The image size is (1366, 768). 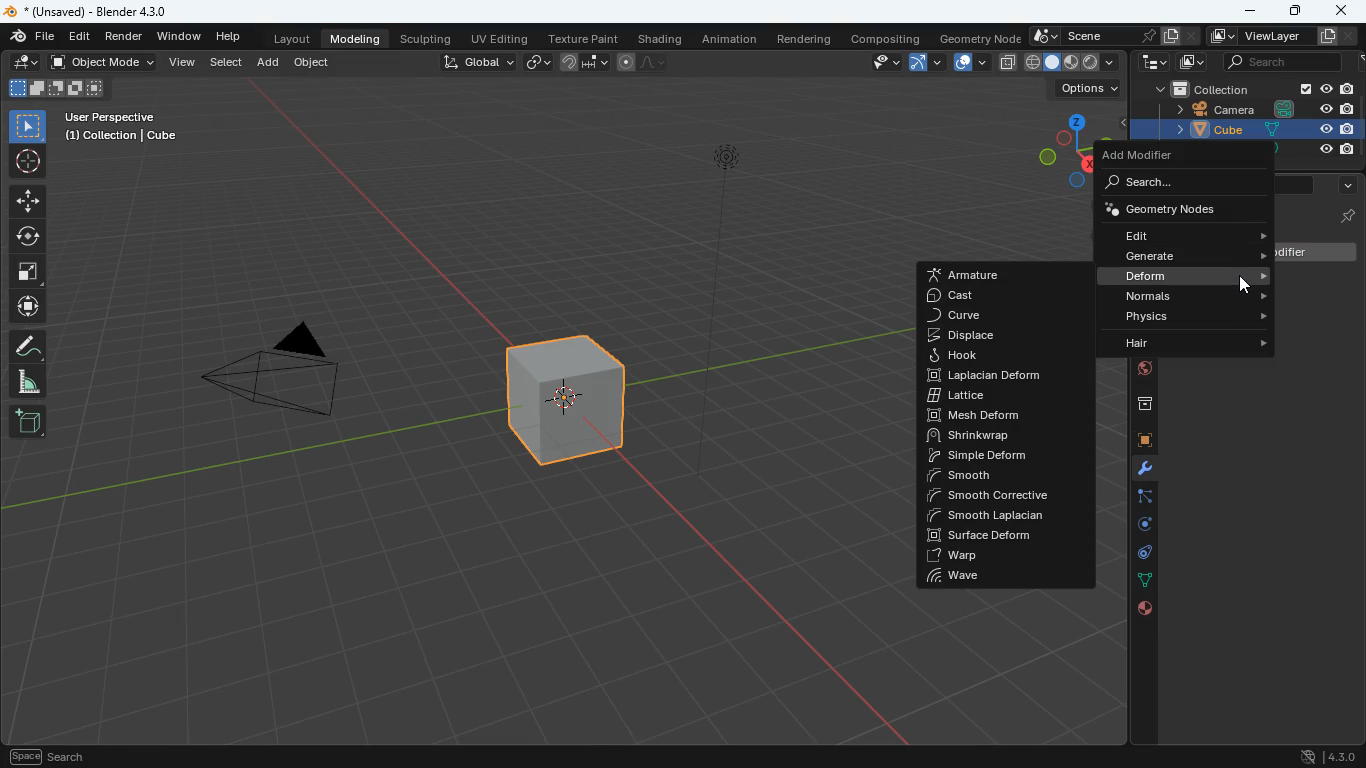 What do you see at coordinates (1285, 35) in the screenshot?
I see `viewlayer` at bounding box center [1285, 35].